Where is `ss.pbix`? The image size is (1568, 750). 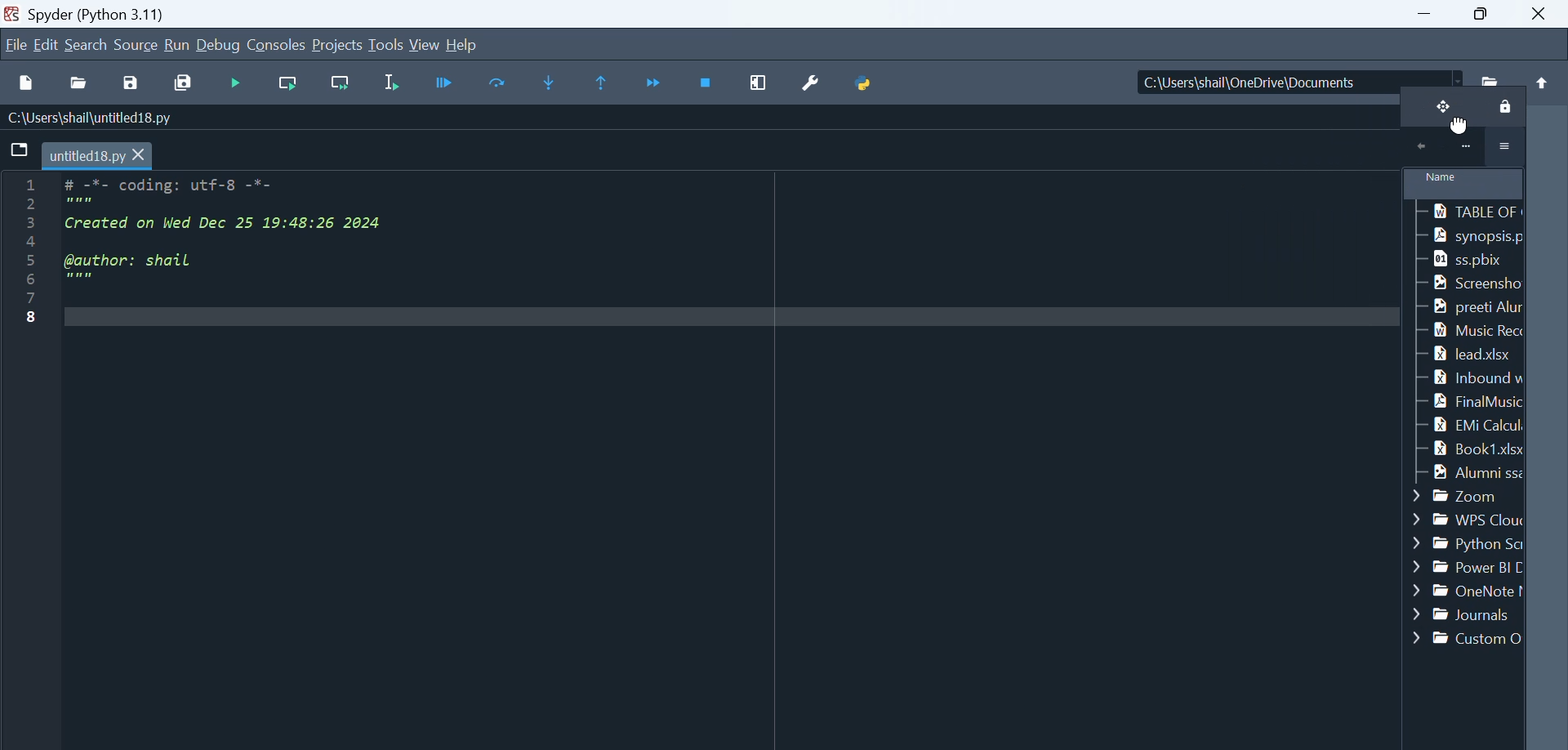
ss.pbix is located at coordinates (1460, 261).